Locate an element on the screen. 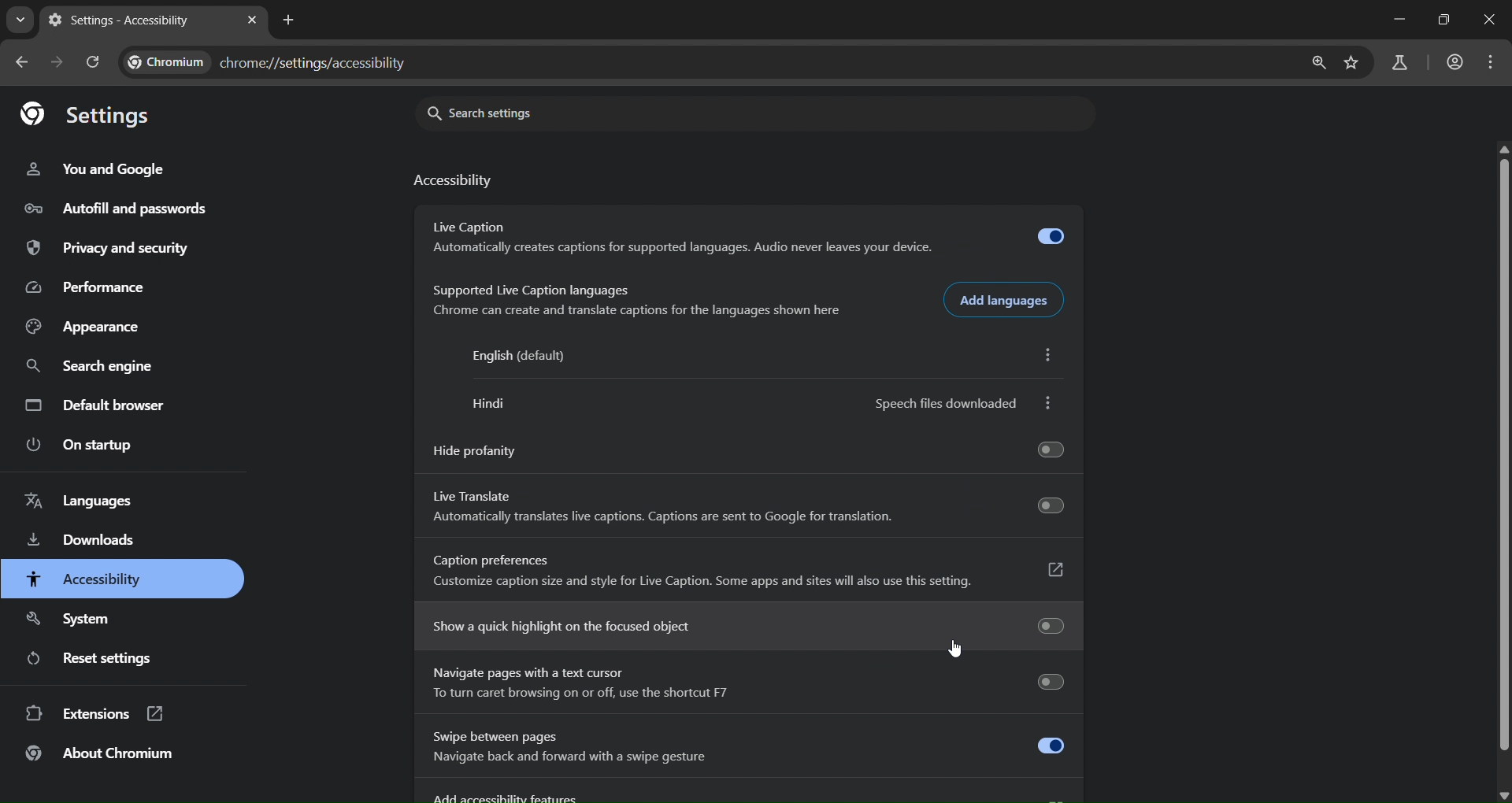  about chromium is located at coordinates (101, 755).